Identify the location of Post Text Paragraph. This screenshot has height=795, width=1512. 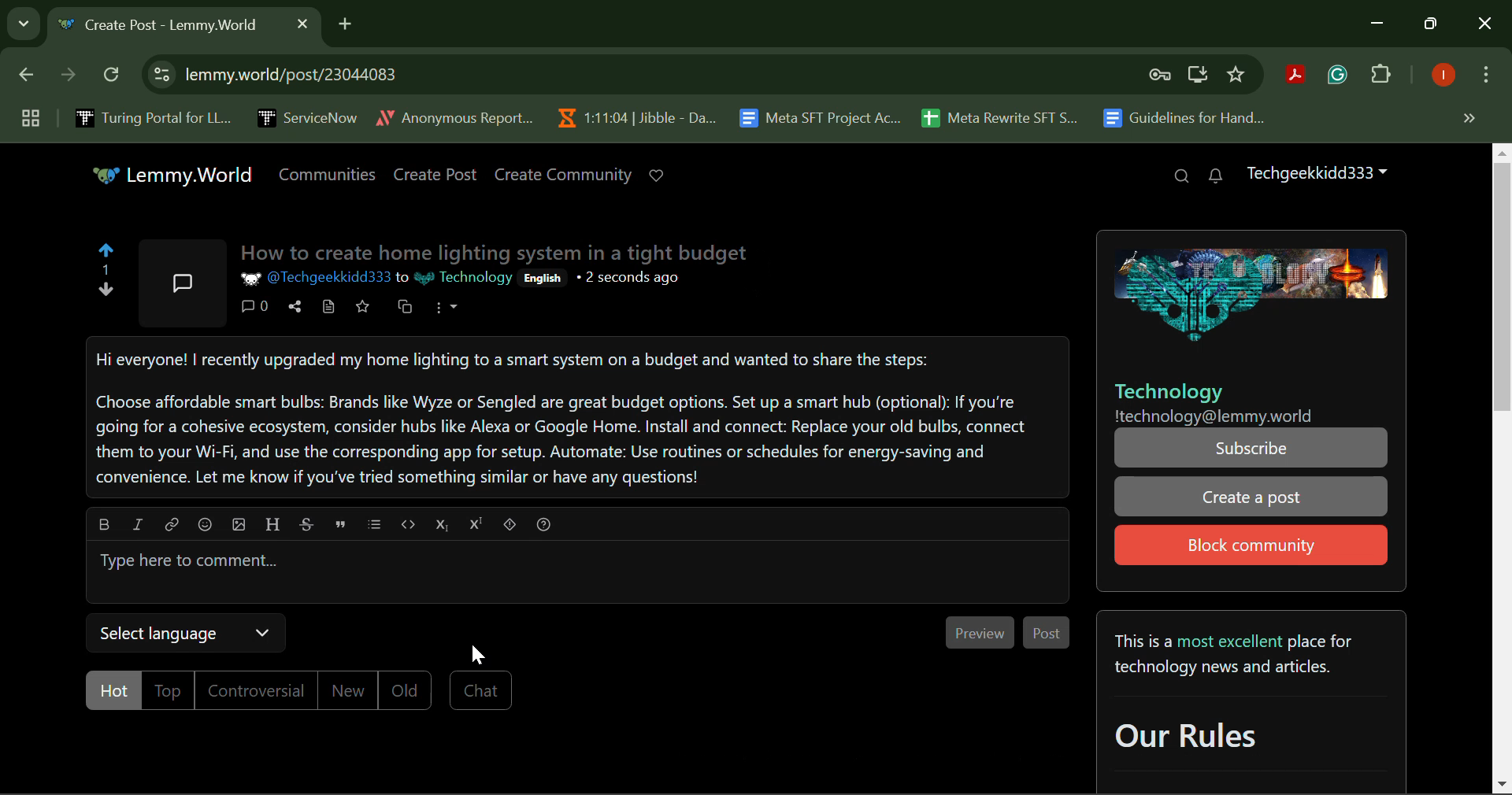
(580, 419).